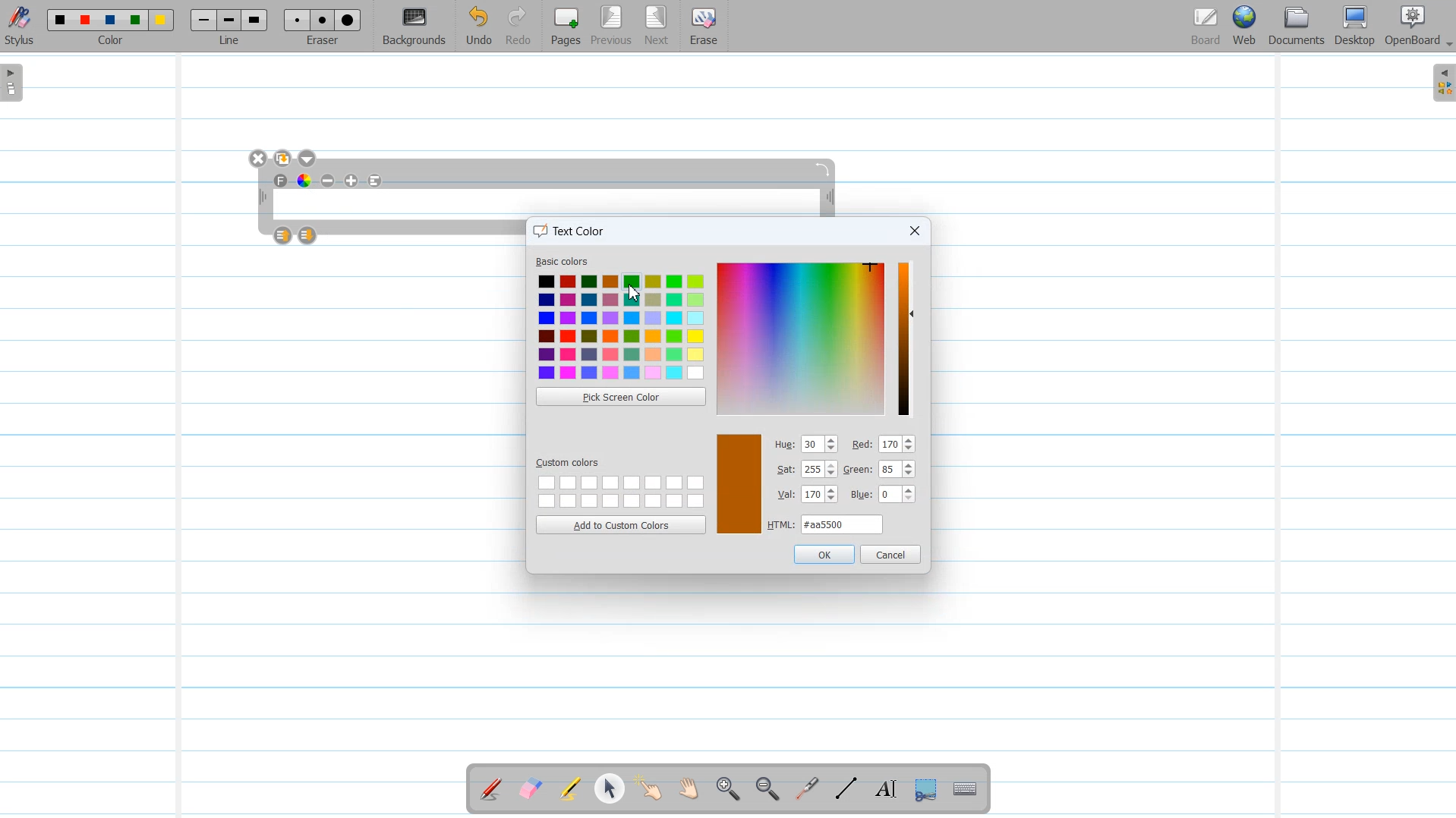 The image size is (1456, 818). I want to click on Maximize Text, so click(352, 181).